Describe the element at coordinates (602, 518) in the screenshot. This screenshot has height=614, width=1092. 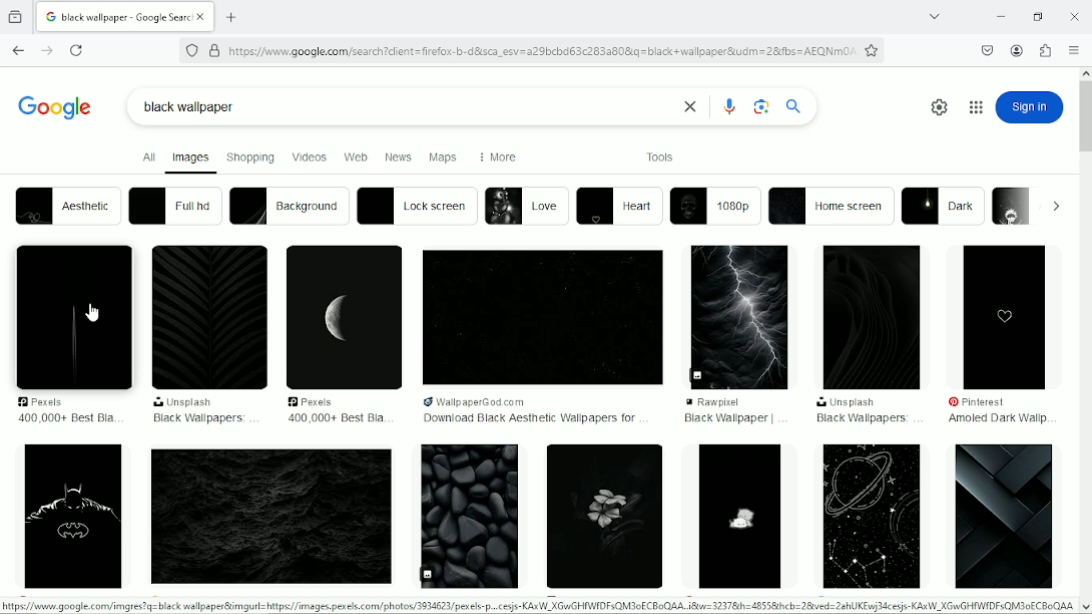
I see `black wallpaper image` at that location.